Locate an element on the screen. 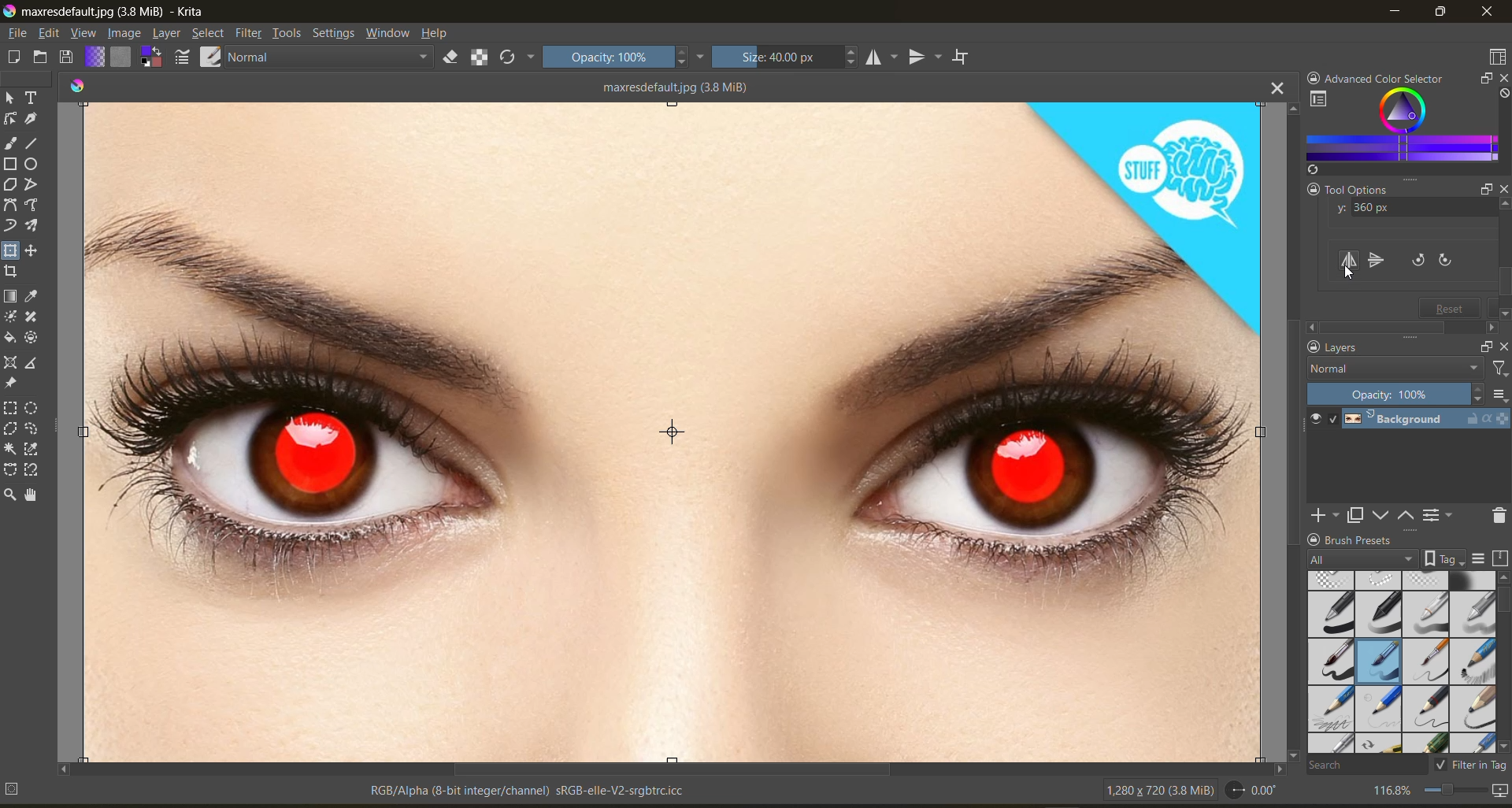 The width and height of the screenshot is (1512, 808). tool is located at coordinates (33, 470).